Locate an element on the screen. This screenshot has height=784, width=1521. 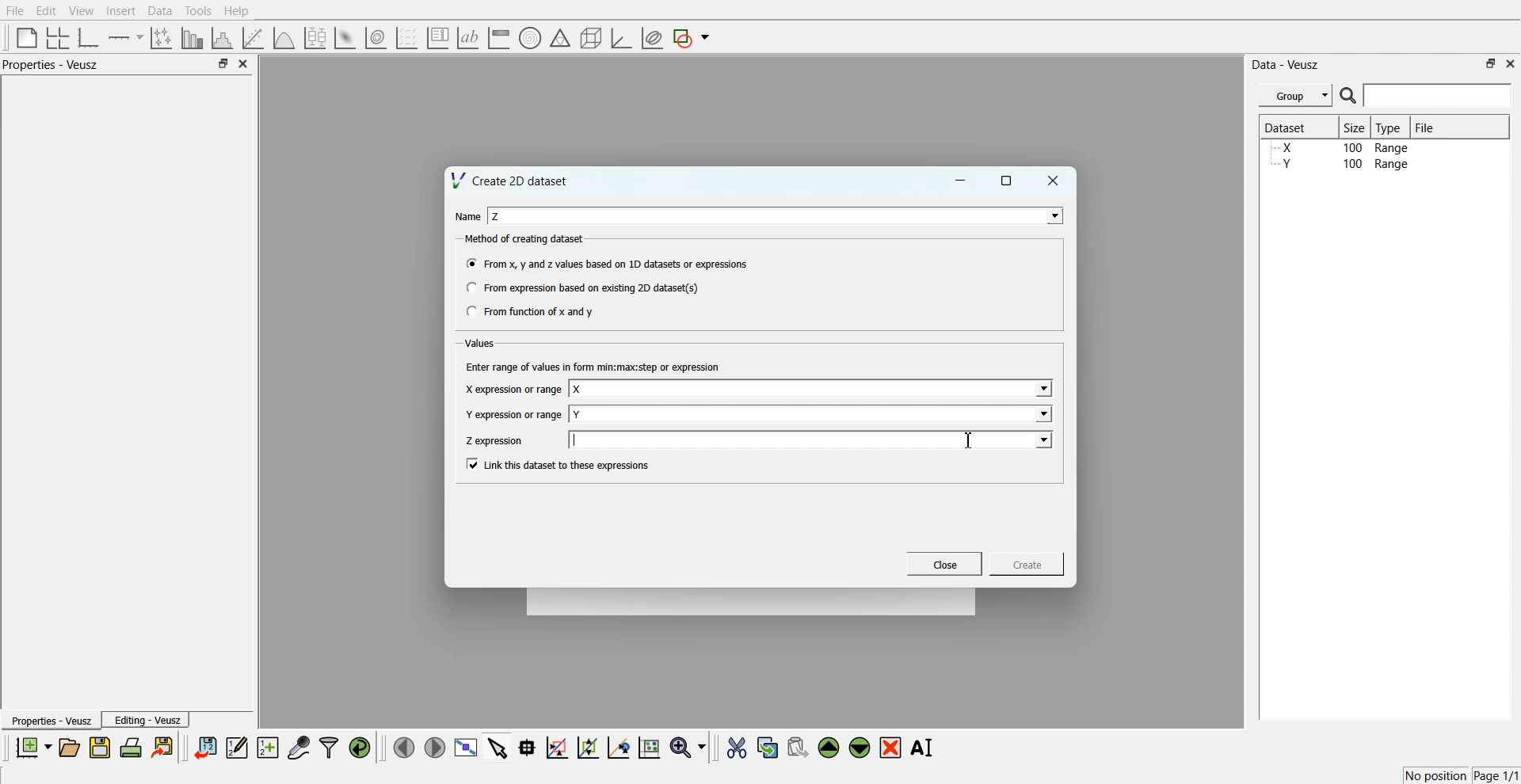
Save the document is located at coordinates (100, 747).